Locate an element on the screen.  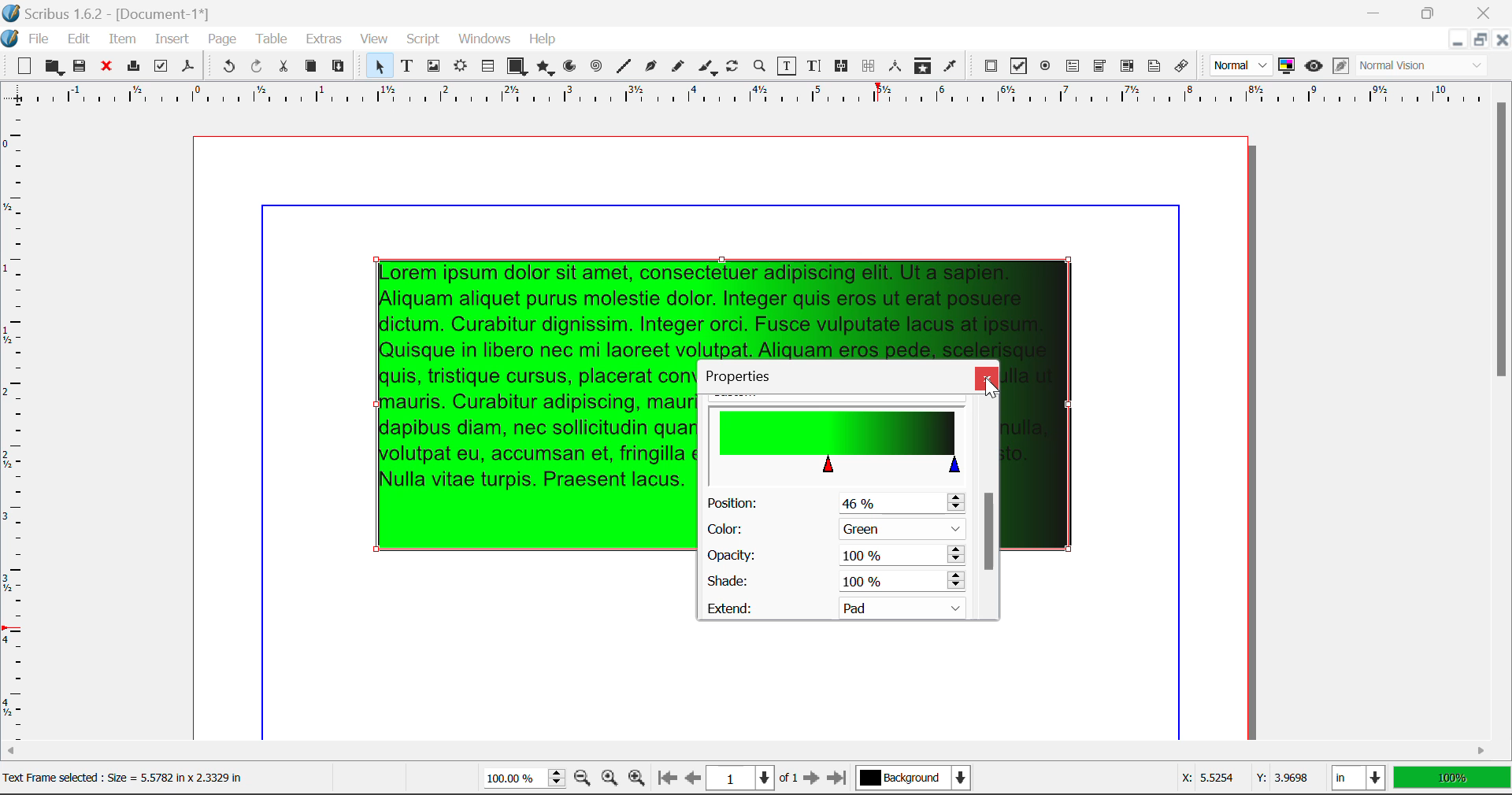
Scroll Bar is located at coordinates (988, 508).